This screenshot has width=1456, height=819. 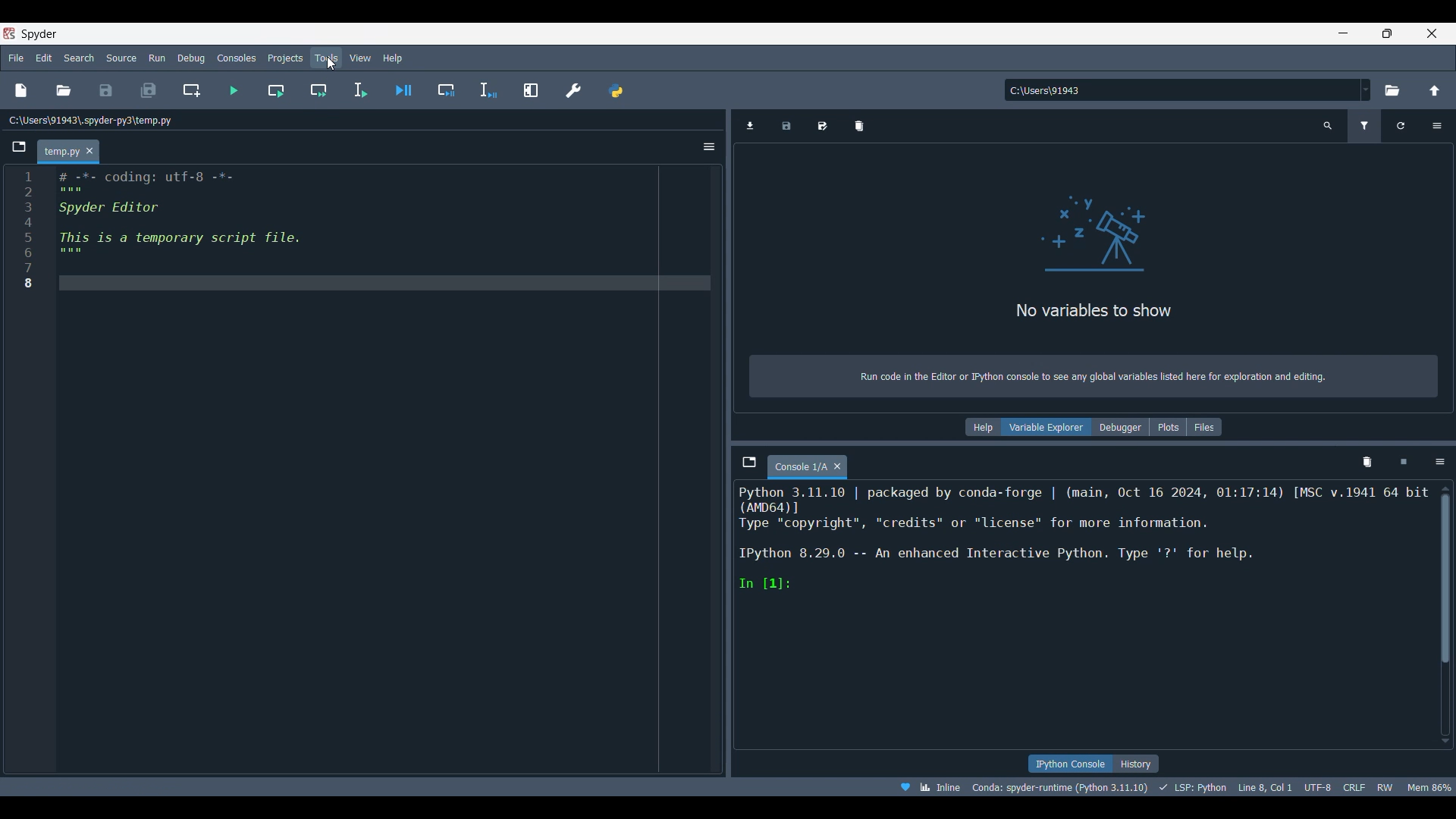 What do you see at coordinates (1387, 33) in the screenshot?
I see `Show interface in a smaller tab` at bounding box center [1387, 33].